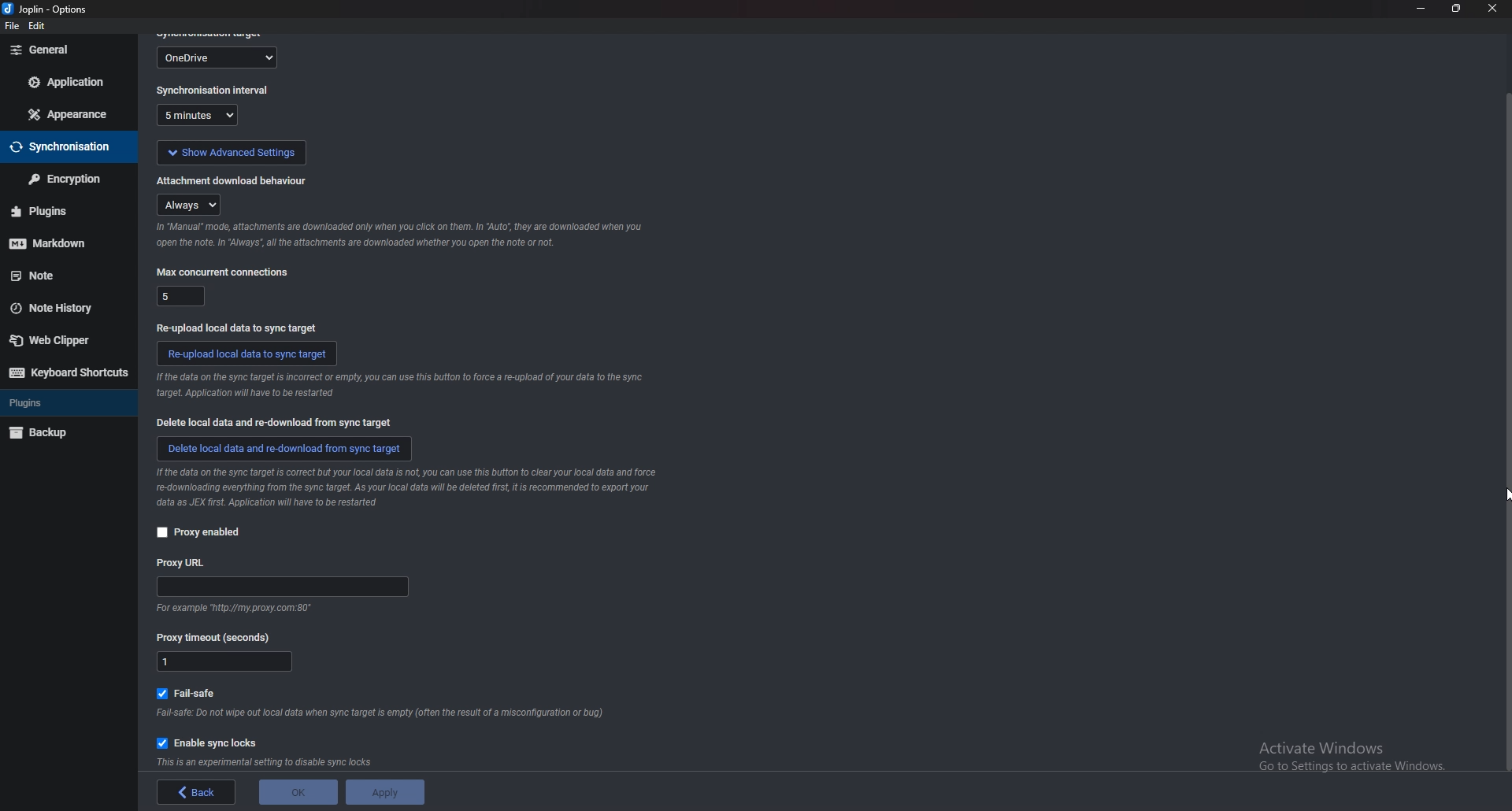  Describe the element at coordinates (283, 588) in the screenshot. I see `proxy url` at that location.